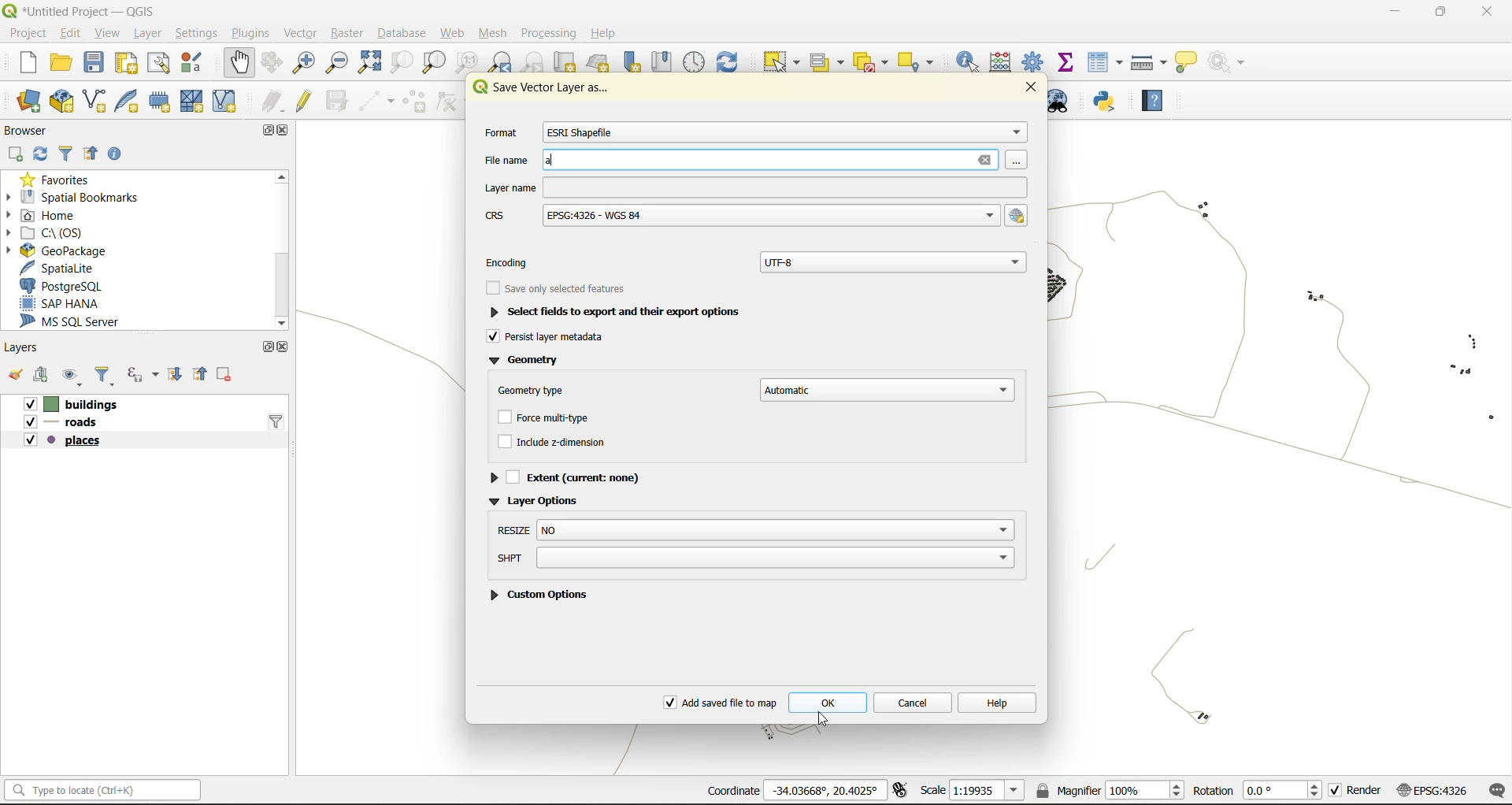 Image resolution: width=1512 pixels, height=805 pixels. I want to click on Automatic, so click(887, 389).